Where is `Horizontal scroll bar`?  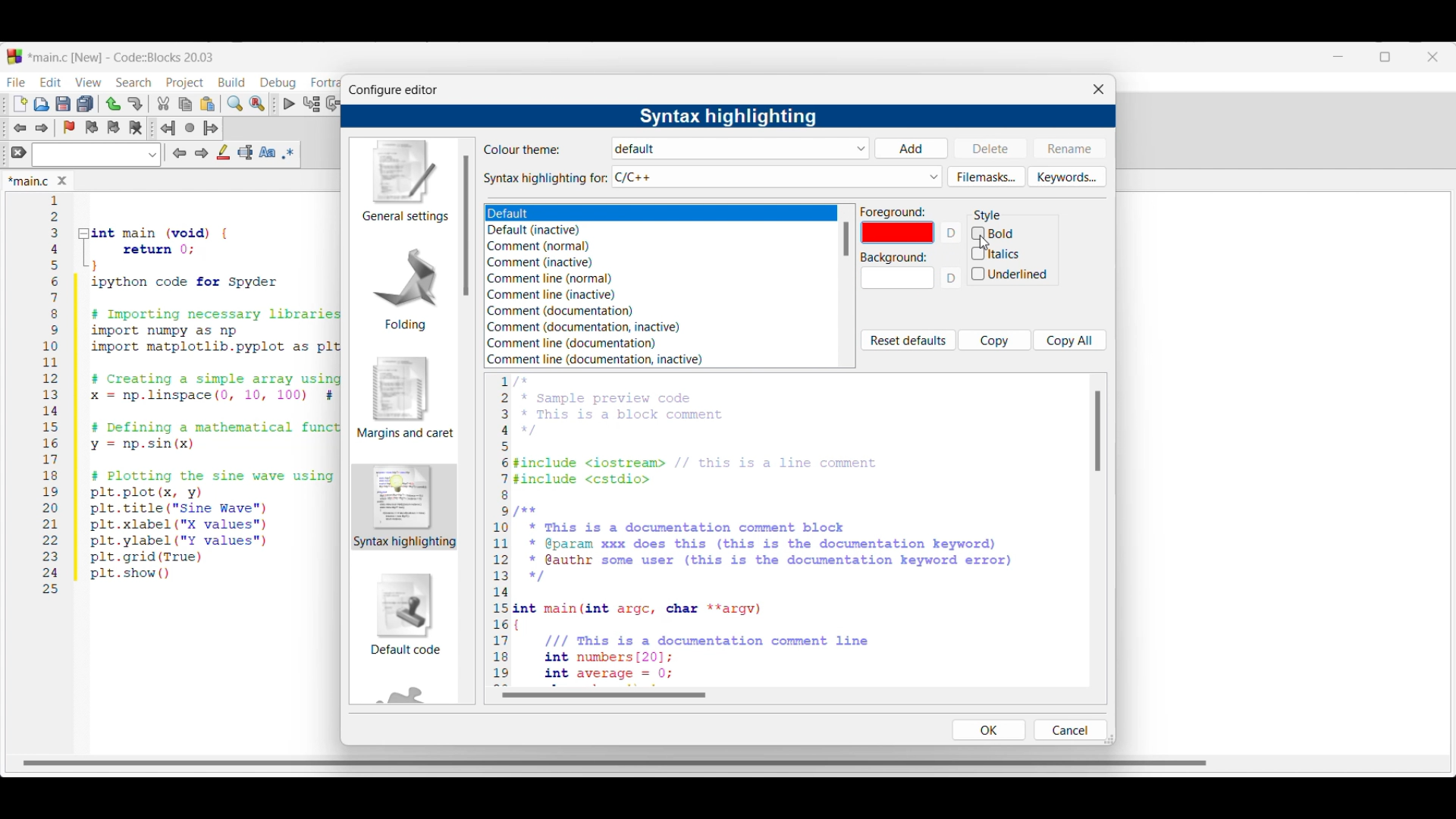 Horizontal scroll bar is located at coordinates (619, 758).